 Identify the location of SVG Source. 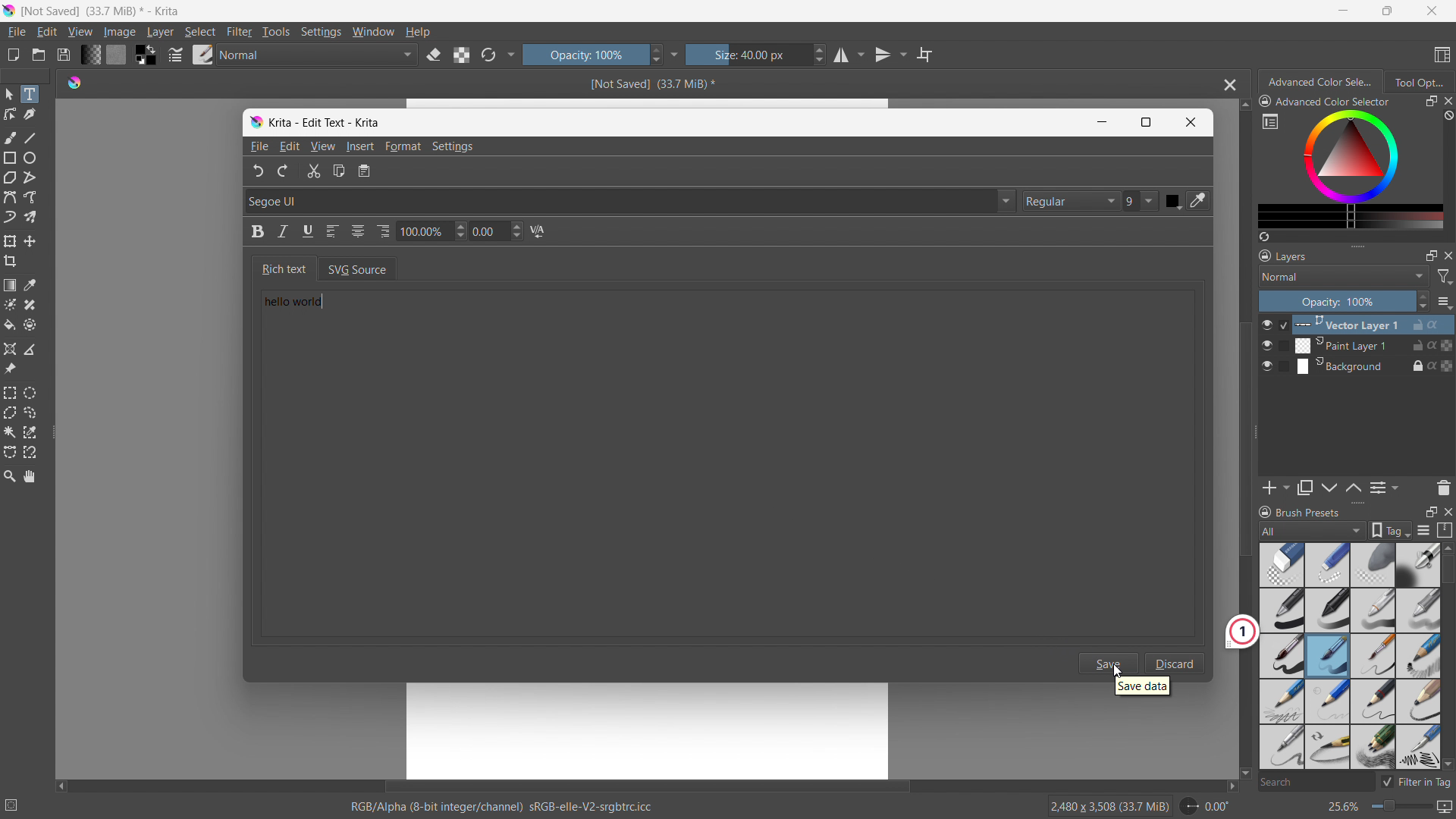
(368, 268).